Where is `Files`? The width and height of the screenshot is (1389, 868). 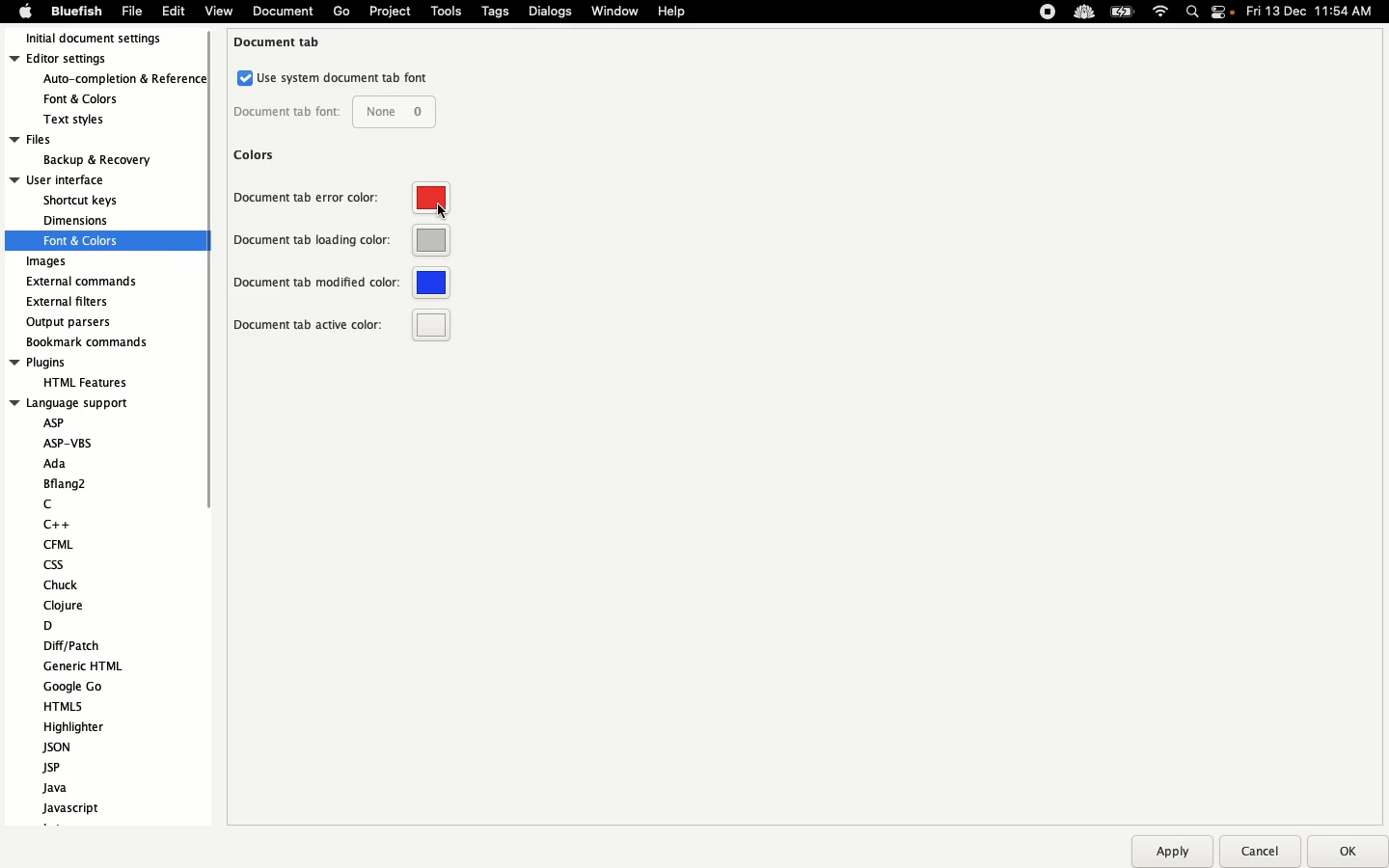 Files is located at coordinates (82, 139).